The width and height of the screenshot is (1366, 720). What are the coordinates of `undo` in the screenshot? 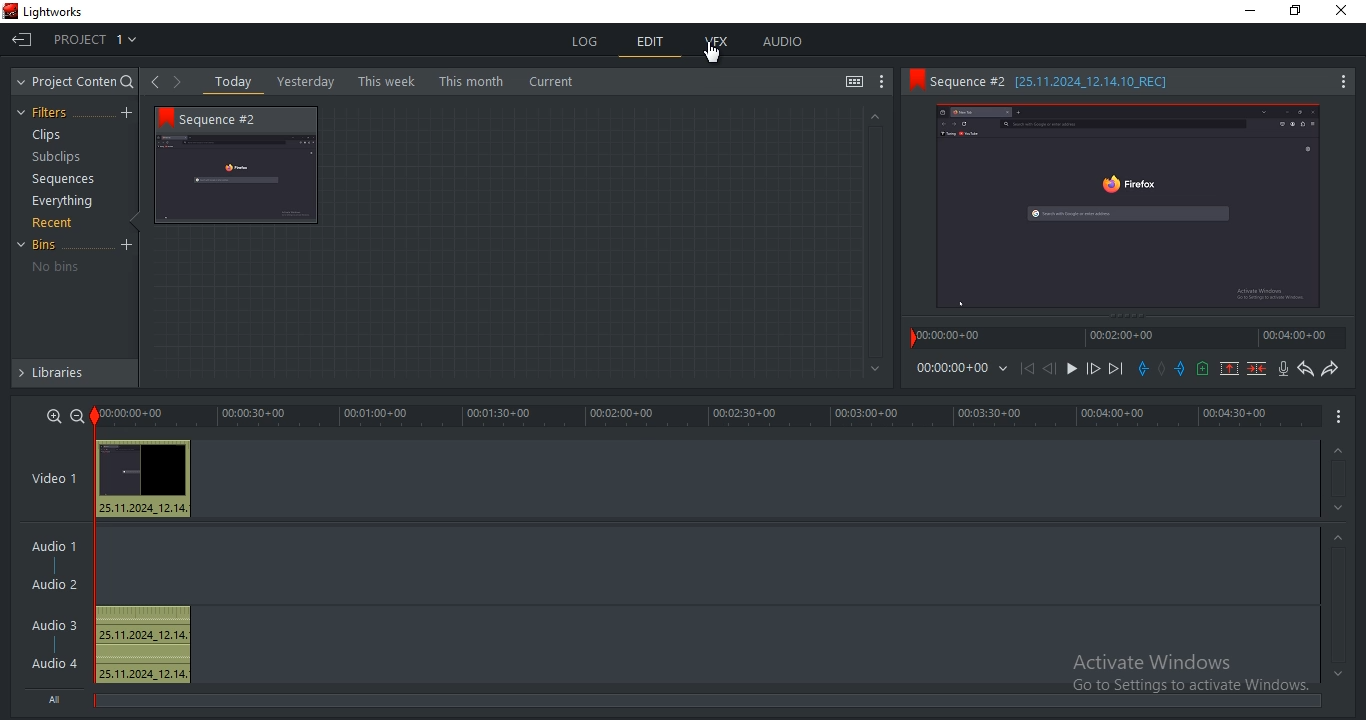 It's located at (1305, 369).